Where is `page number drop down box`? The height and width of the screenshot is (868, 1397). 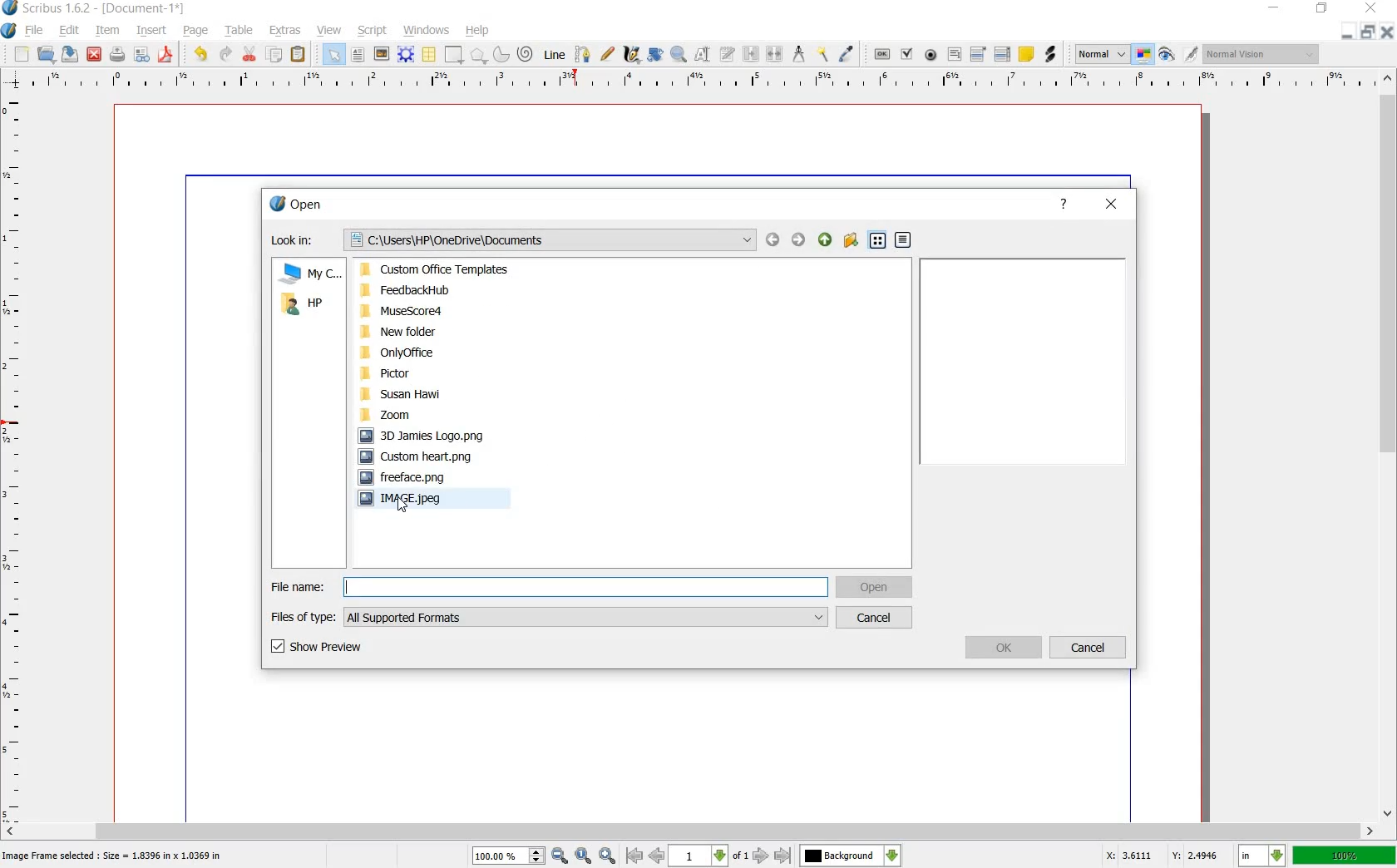 page number drop down box is located at coordinates (708, 854).